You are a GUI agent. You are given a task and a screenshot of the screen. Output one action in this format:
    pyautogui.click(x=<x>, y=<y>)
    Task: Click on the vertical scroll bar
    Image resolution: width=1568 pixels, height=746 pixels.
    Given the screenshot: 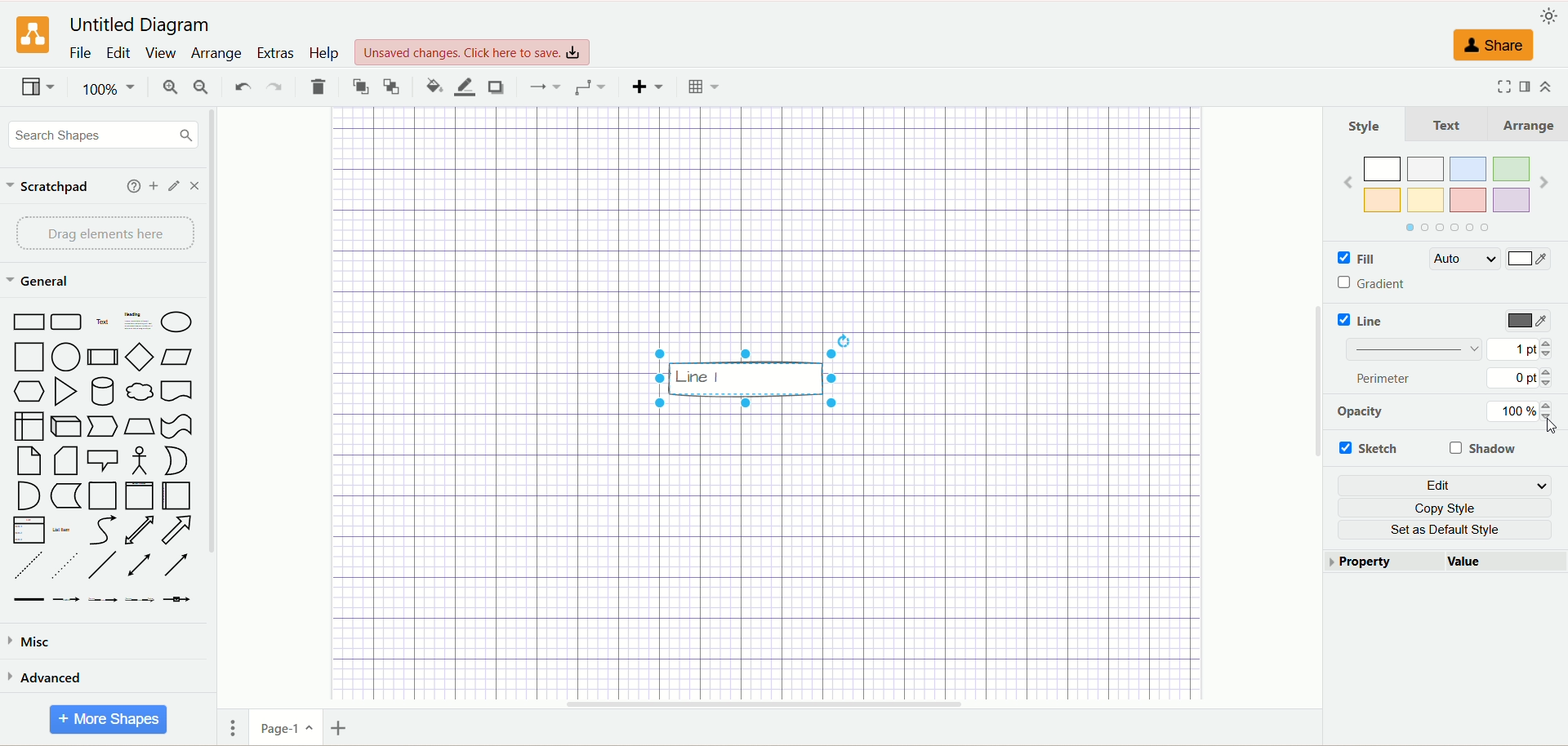 What is the action you would take?
    pyautogui.click(x=1312, y=408)
    